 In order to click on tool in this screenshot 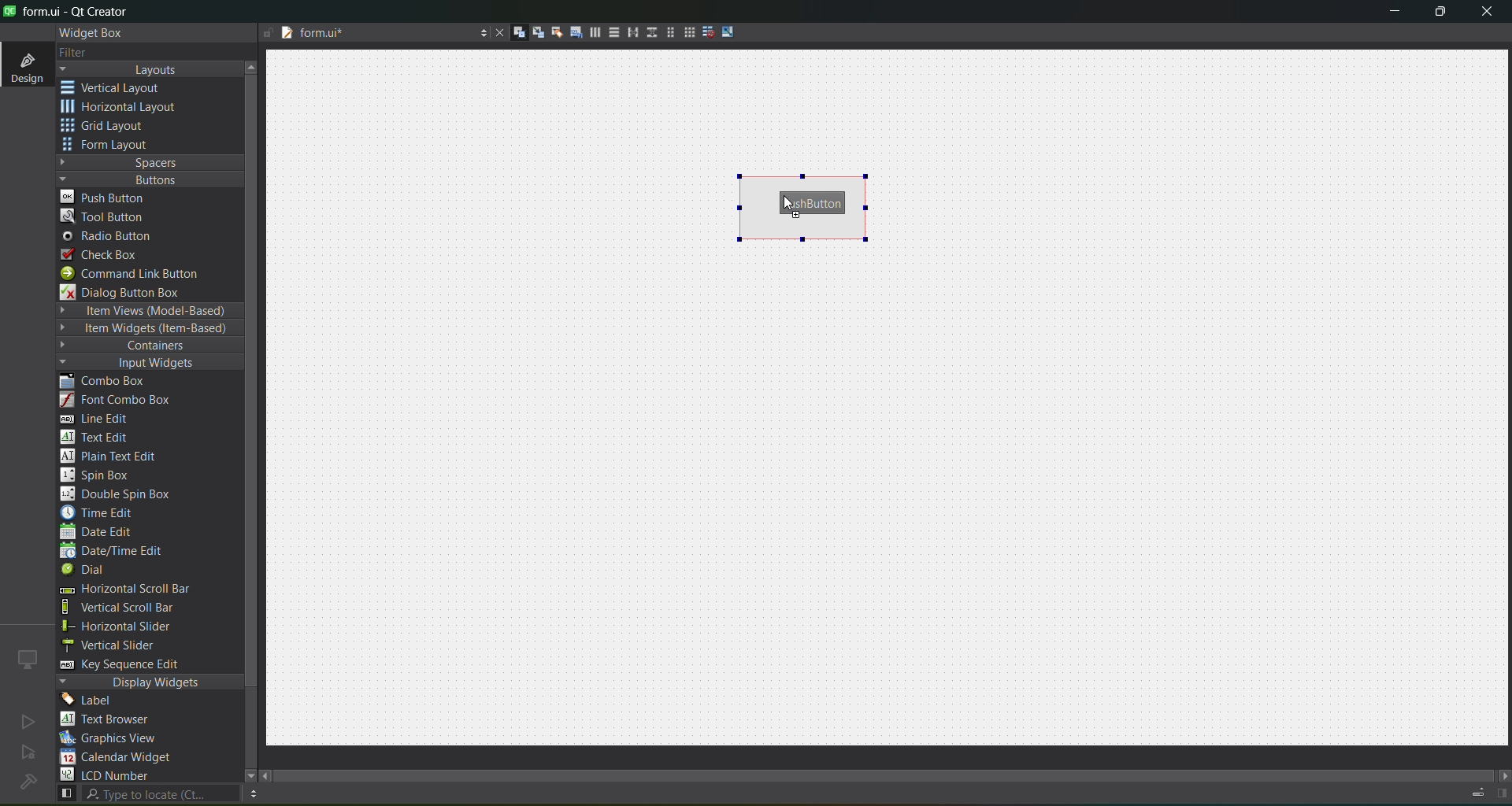, I will do `click(106, 216)`.